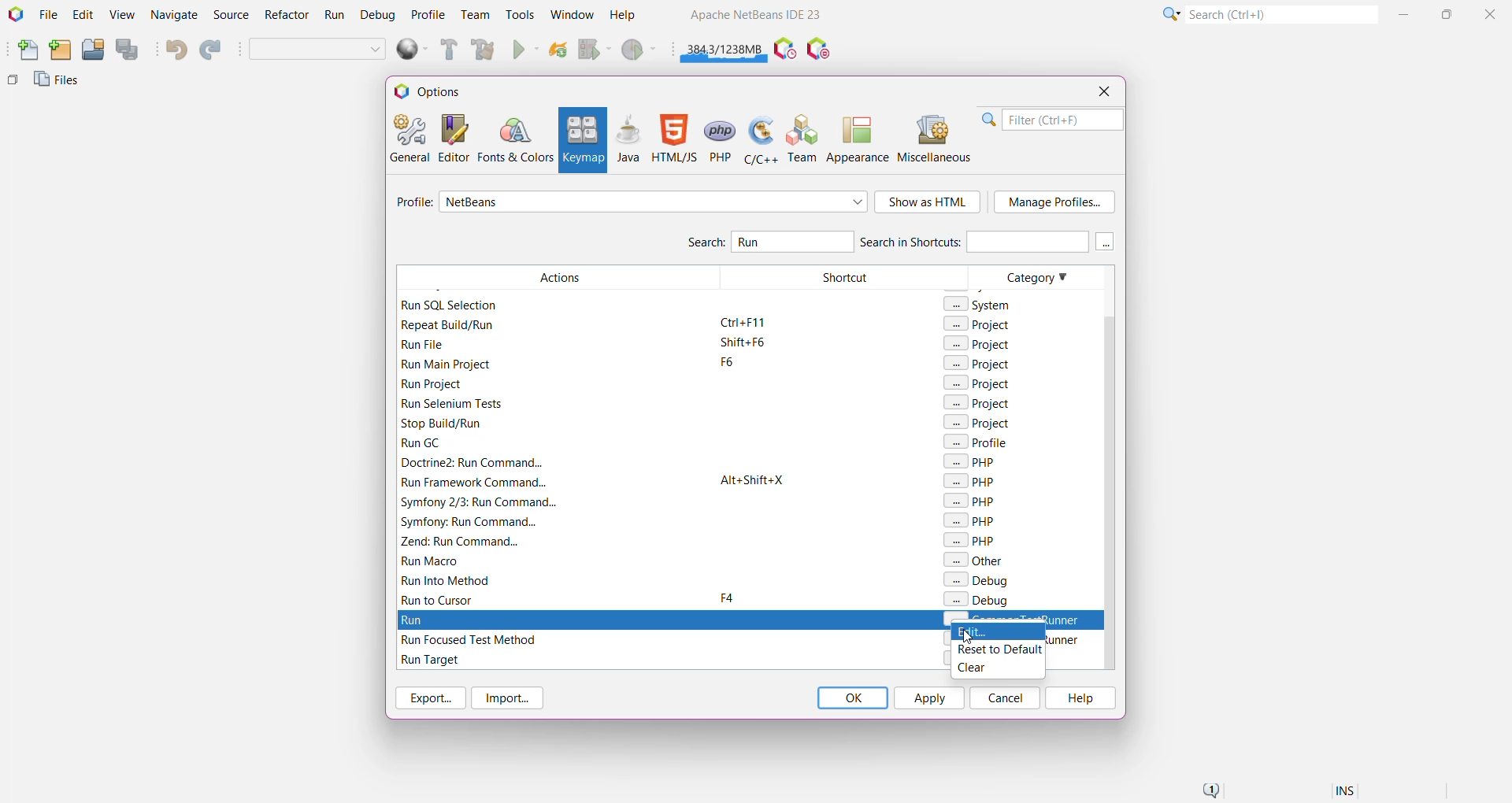  Describe the element at coordinates (803, 139) in the screenshot. I see `Team` at that location.